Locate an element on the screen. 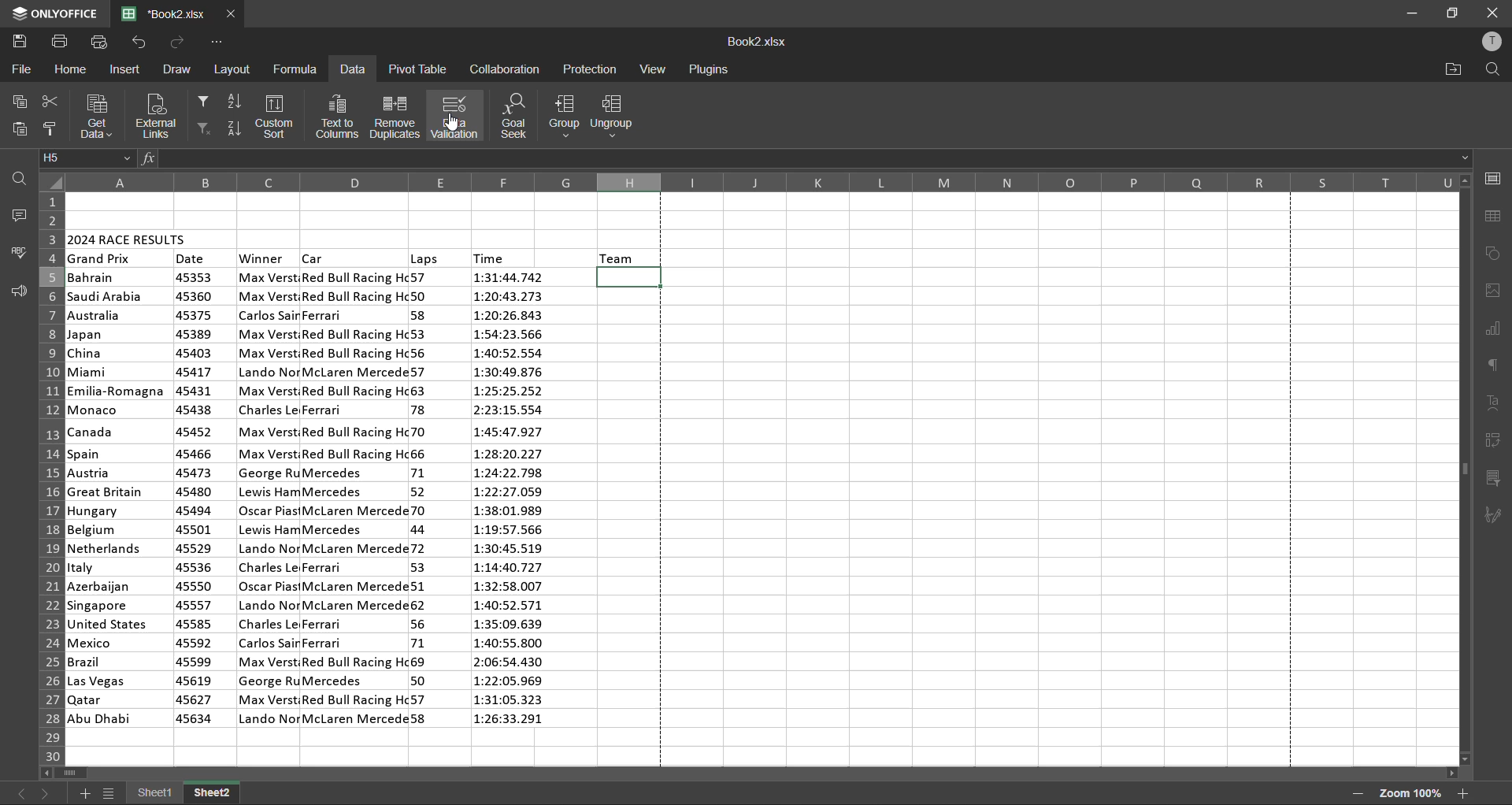  formula bar is located at coordinates (817, 159).